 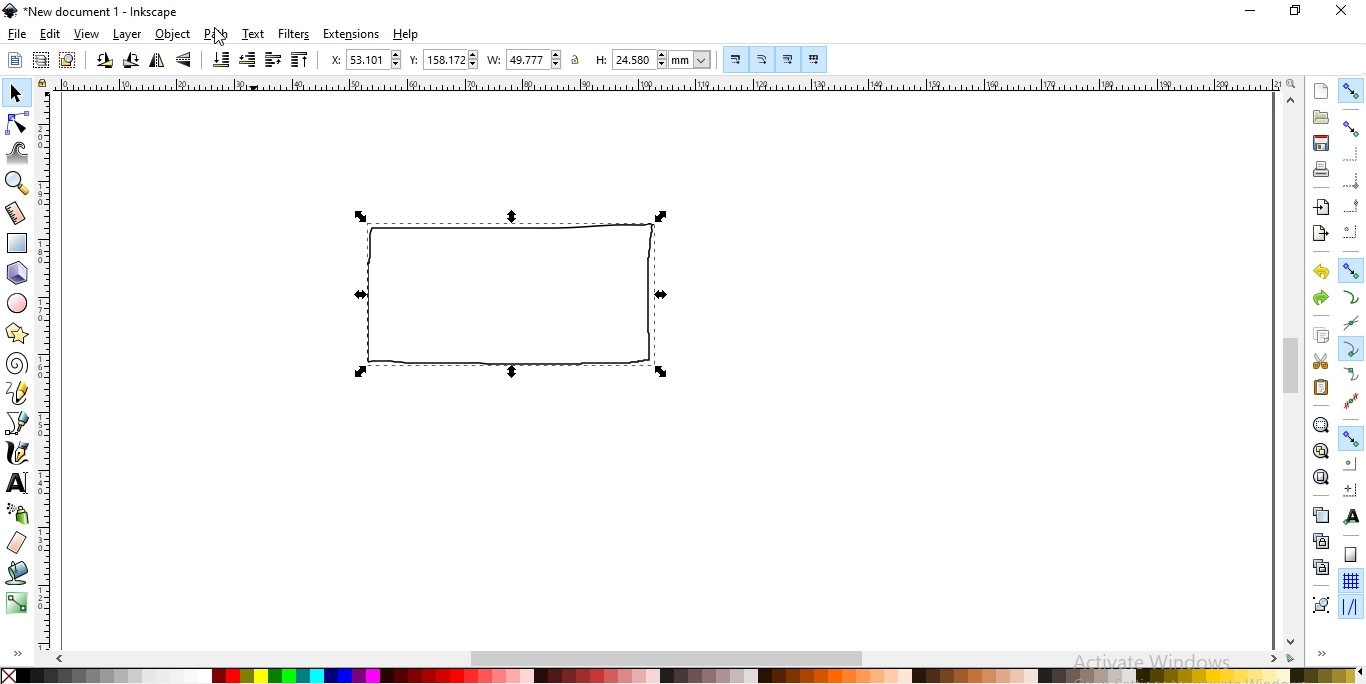 I want to click on lower selection to bottom, so click(x=220, y=60).